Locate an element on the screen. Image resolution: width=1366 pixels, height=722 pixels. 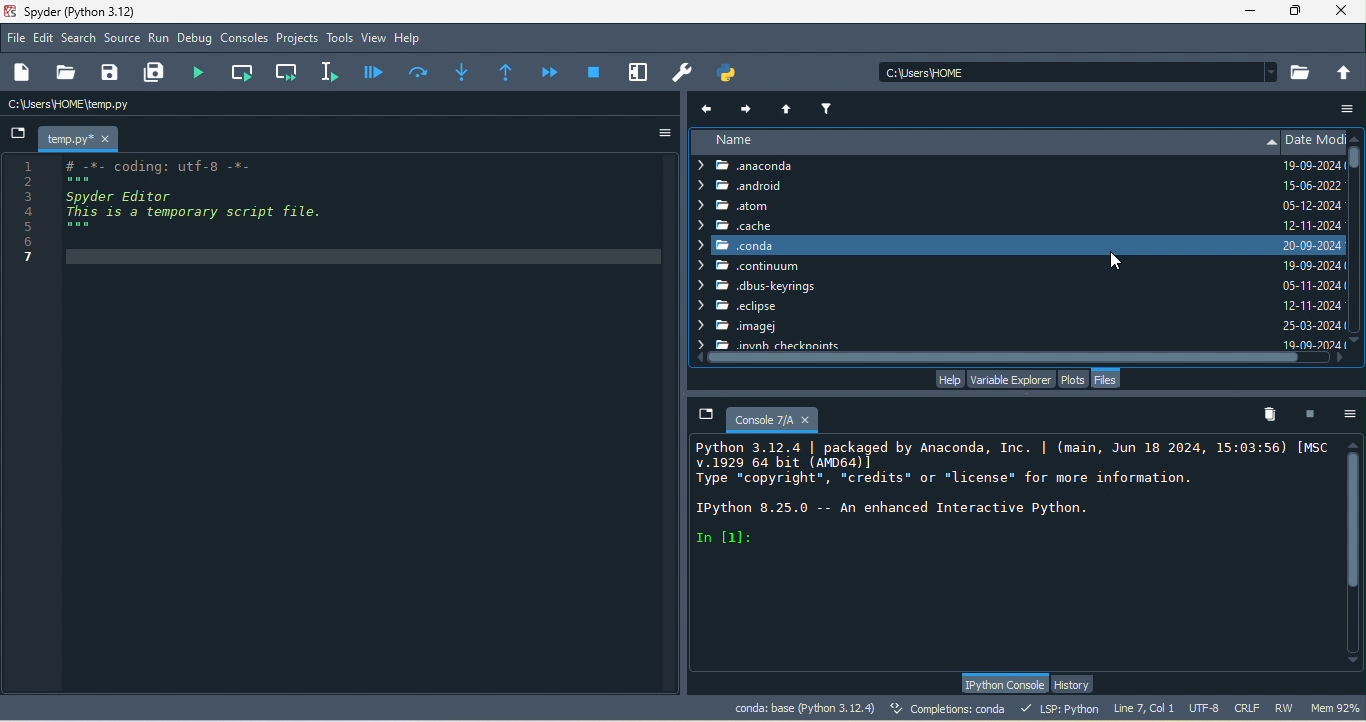
file is located at coordinates (17, 37).